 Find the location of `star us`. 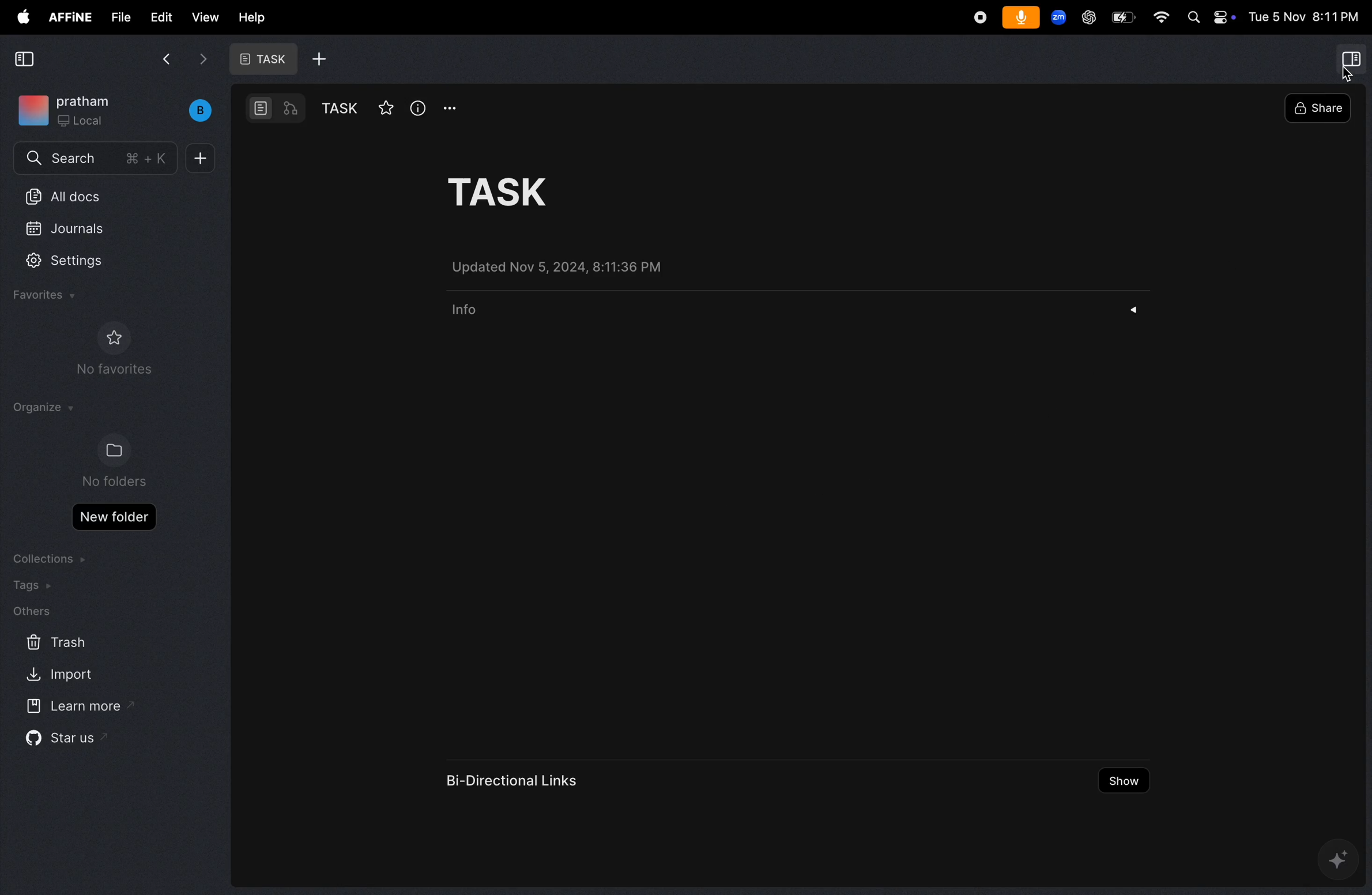

star us is located at coordinates (62, 741).